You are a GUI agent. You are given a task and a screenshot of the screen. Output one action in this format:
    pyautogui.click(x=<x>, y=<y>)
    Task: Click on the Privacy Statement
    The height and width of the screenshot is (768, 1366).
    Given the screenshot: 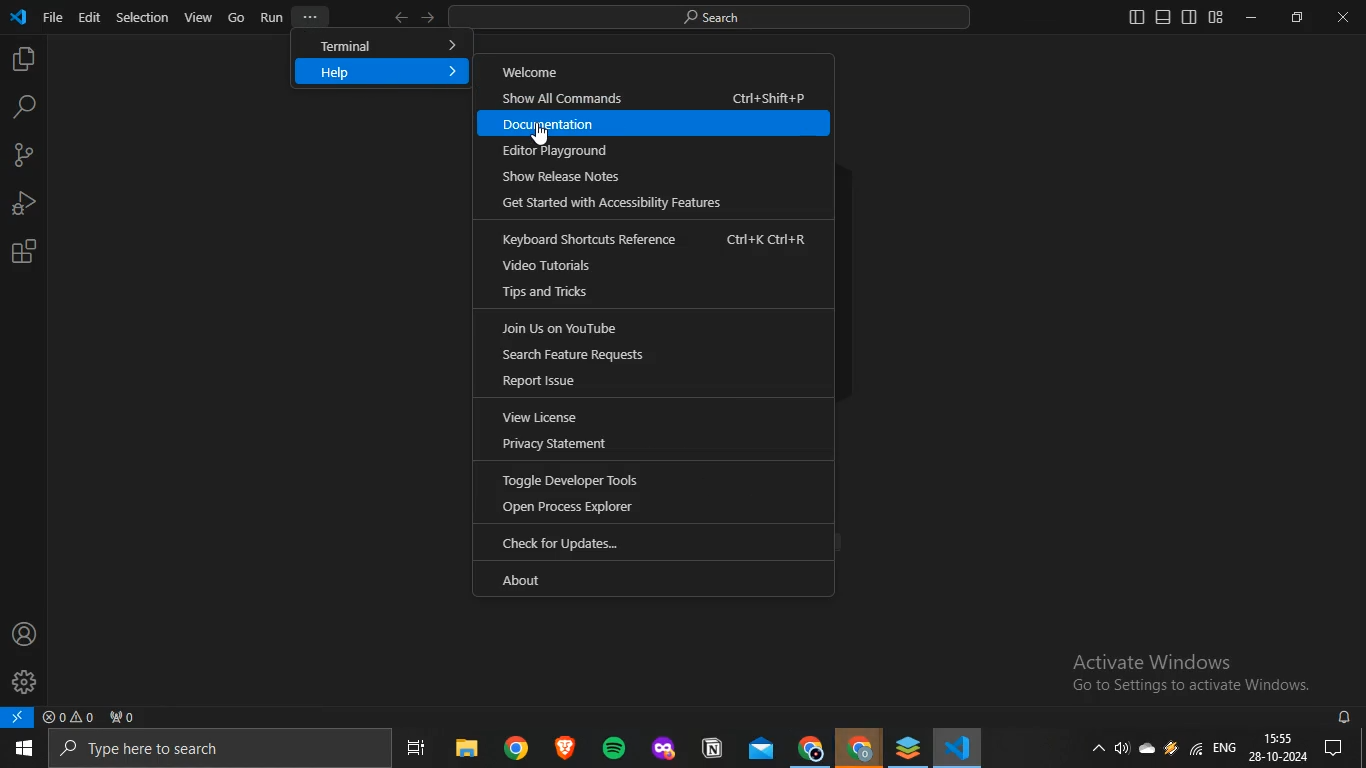 What is the action you would take?
    pyautogui.click(x=653, y=442)
    